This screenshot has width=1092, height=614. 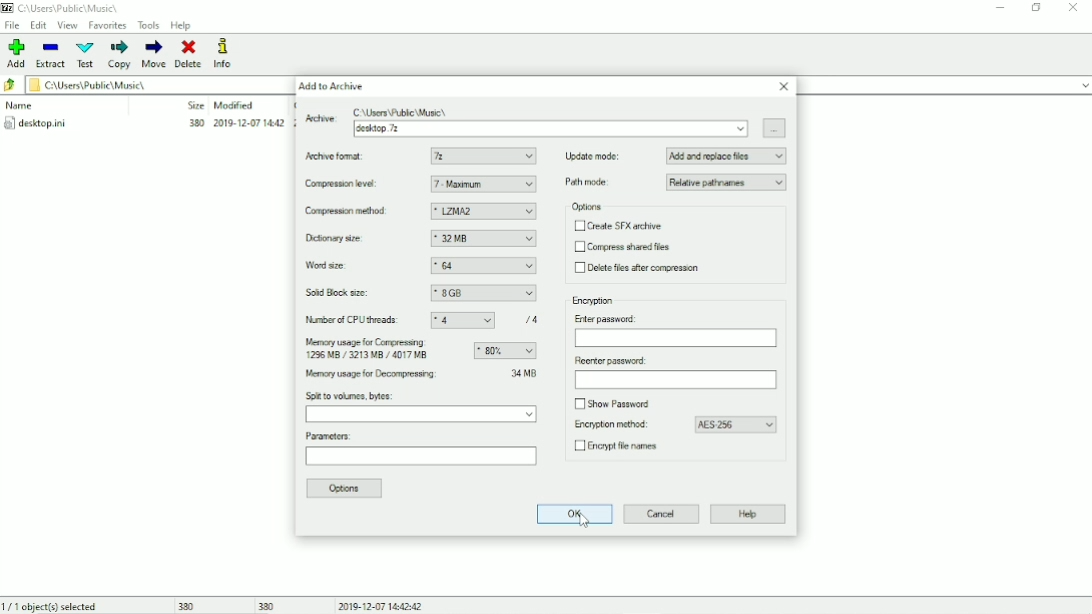 I want to click on Move, so click(x=154, y=54).